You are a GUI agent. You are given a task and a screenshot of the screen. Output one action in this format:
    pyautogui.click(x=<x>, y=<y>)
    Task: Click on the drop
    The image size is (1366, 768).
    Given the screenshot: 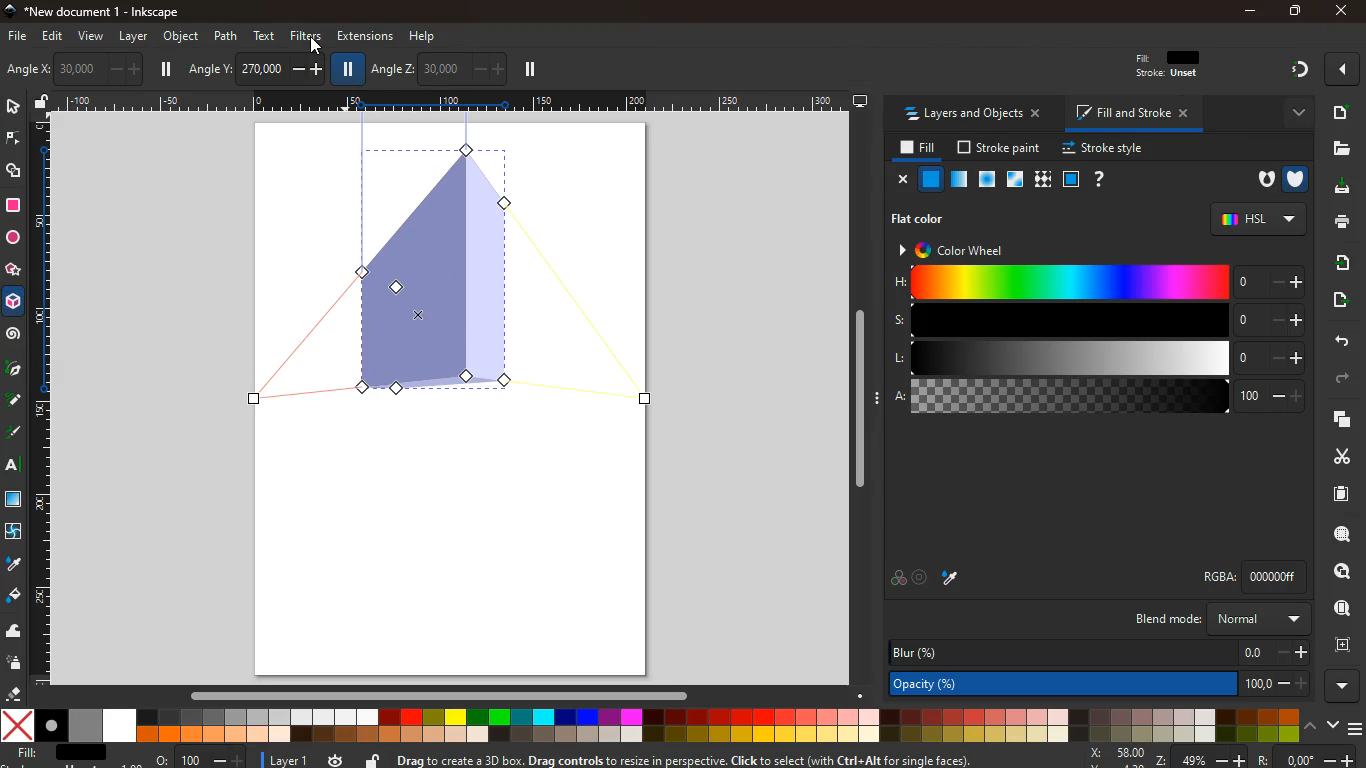 What is the action you would take?
    pyautogui.click(x=12, y=564)
    